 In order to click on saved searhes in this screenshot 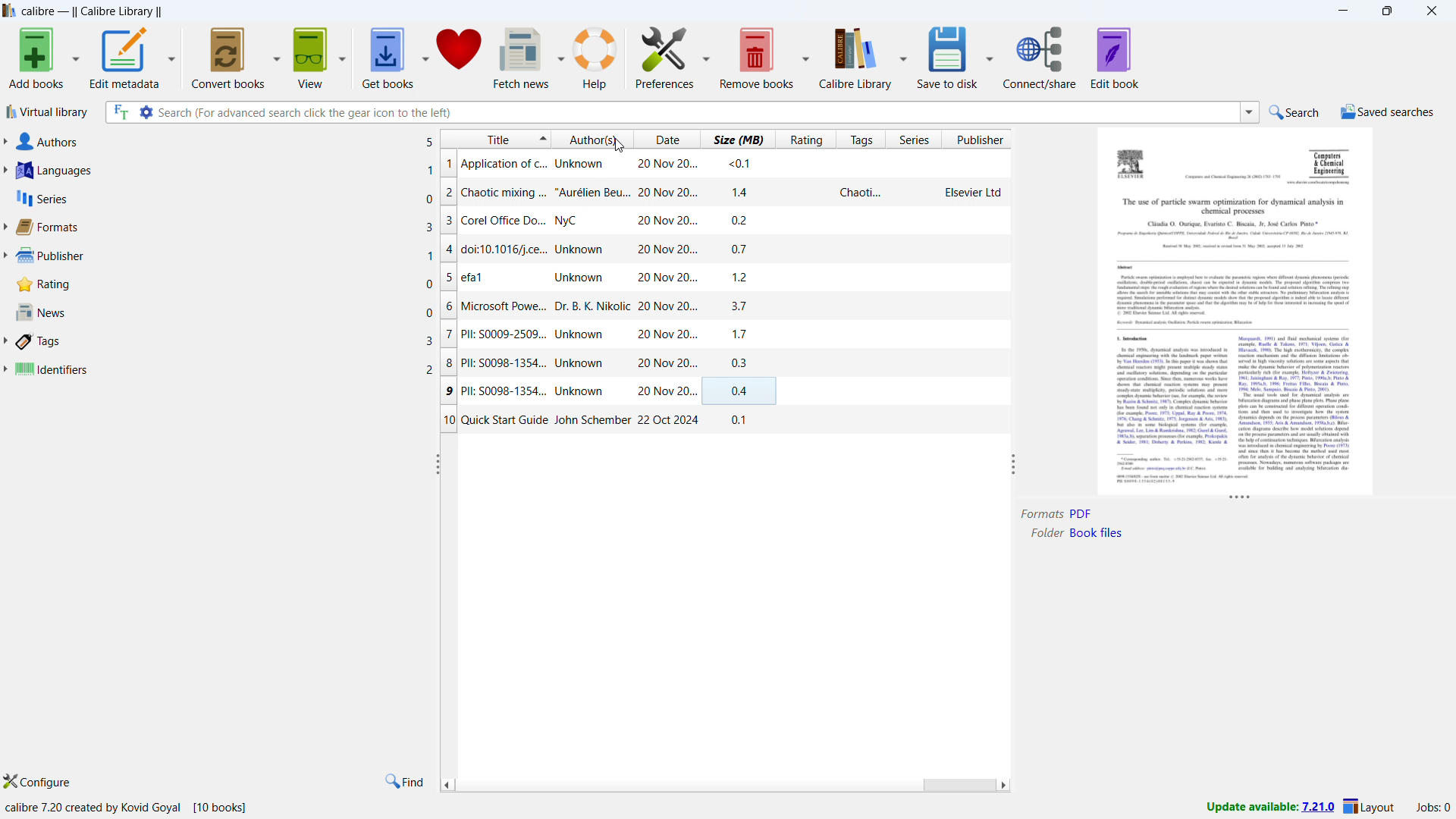, I will do `click(1387, 111)`.